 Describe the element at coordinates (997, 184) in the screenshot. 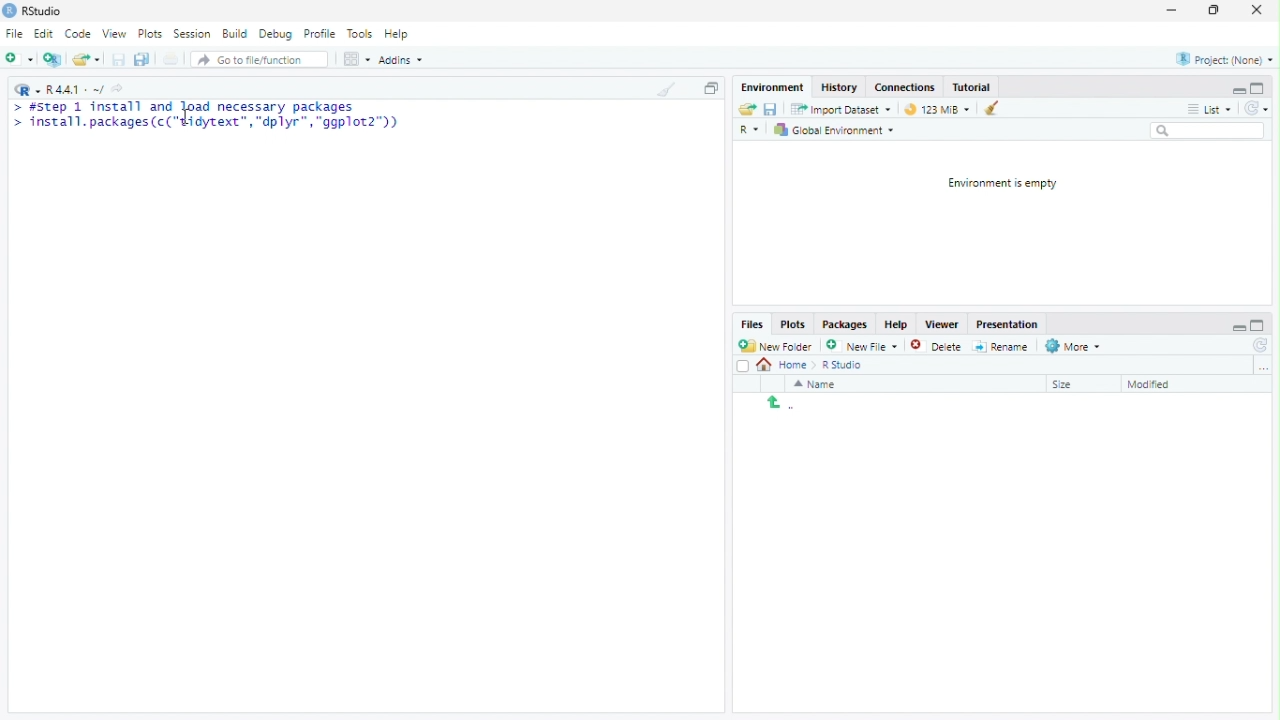

I see `Environment is empty` at that location.